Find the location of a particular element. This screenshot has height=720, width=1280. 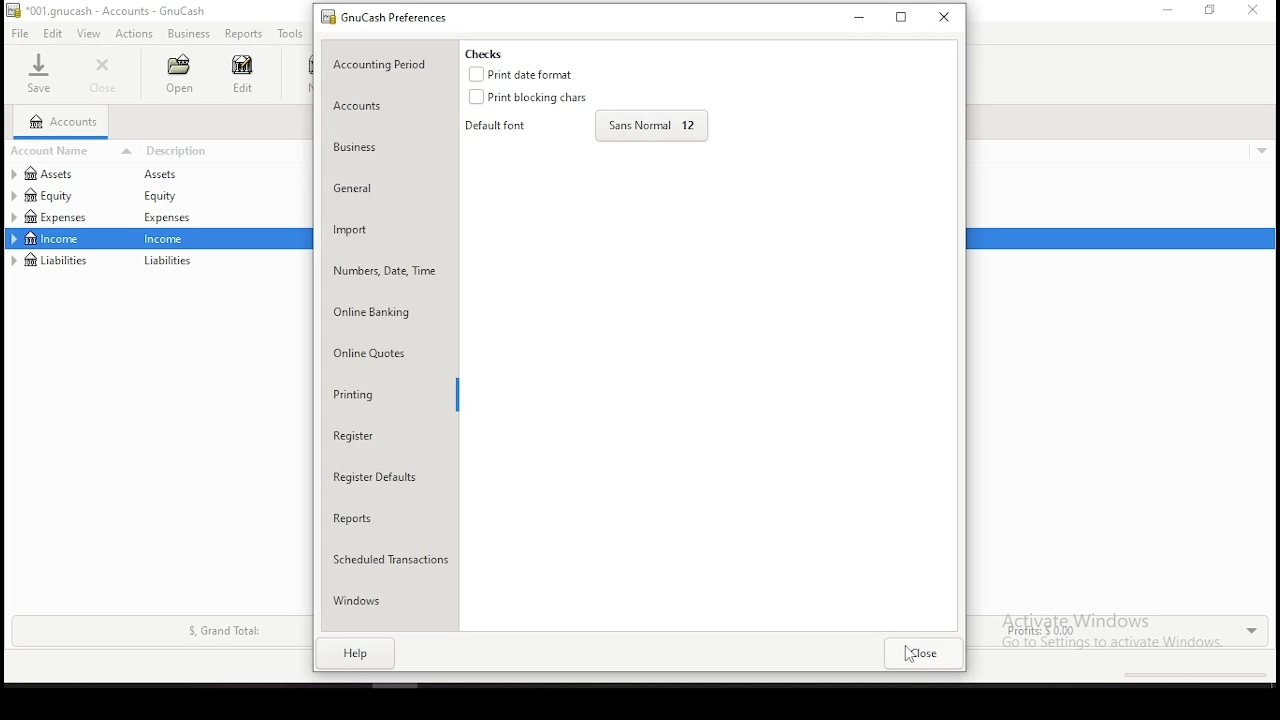

Expenses is located at coordinates (165, 219).